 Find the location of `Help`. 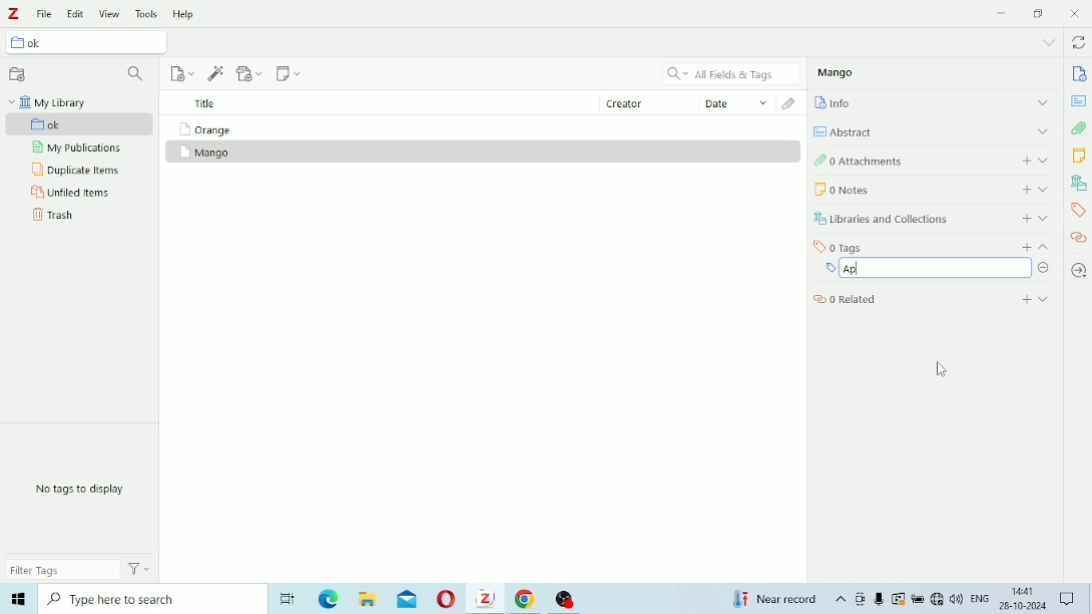

Help is located at coordinates (184, 14).